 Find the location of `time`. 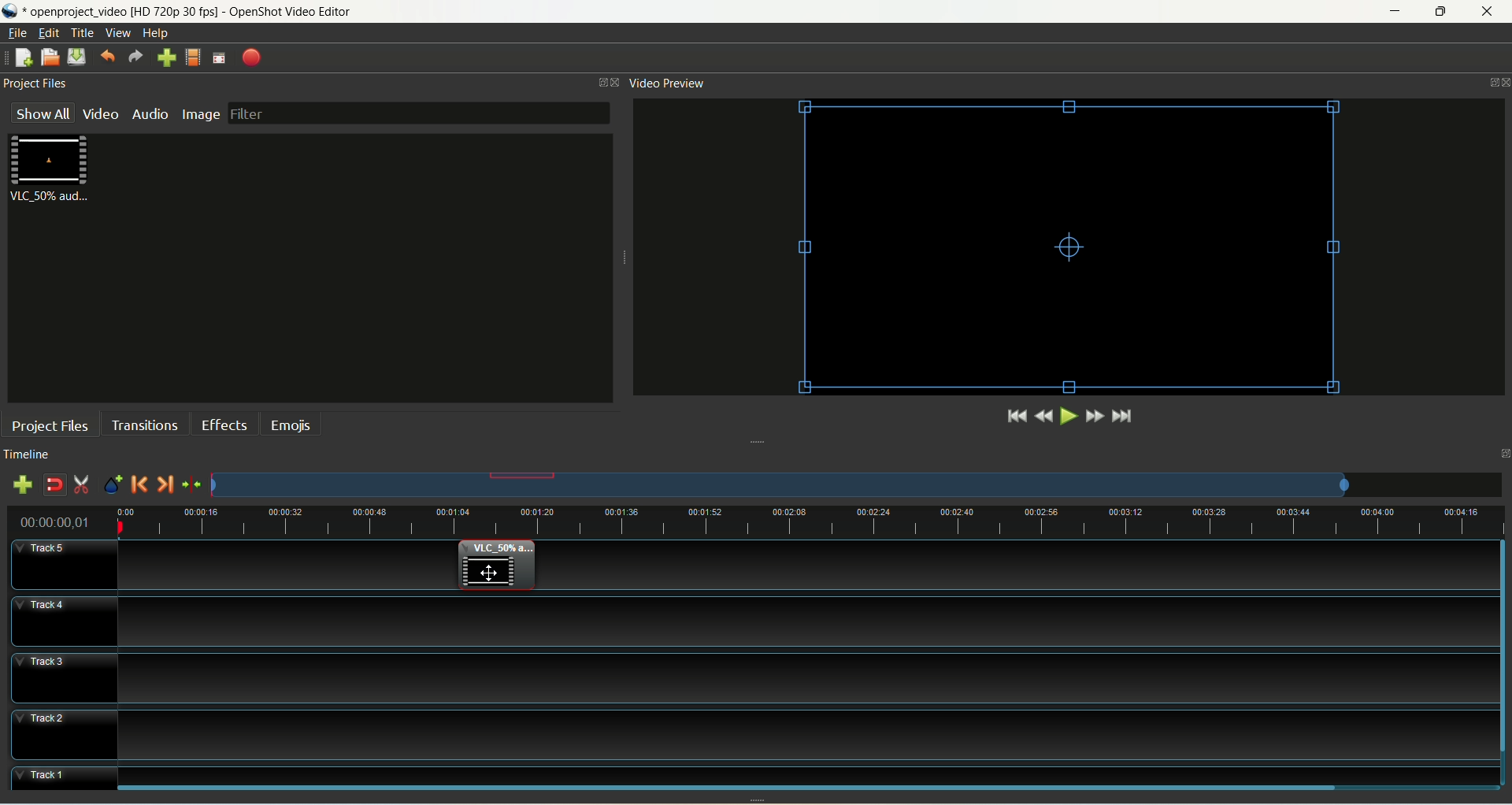

time is located at coordinates (63, 519).